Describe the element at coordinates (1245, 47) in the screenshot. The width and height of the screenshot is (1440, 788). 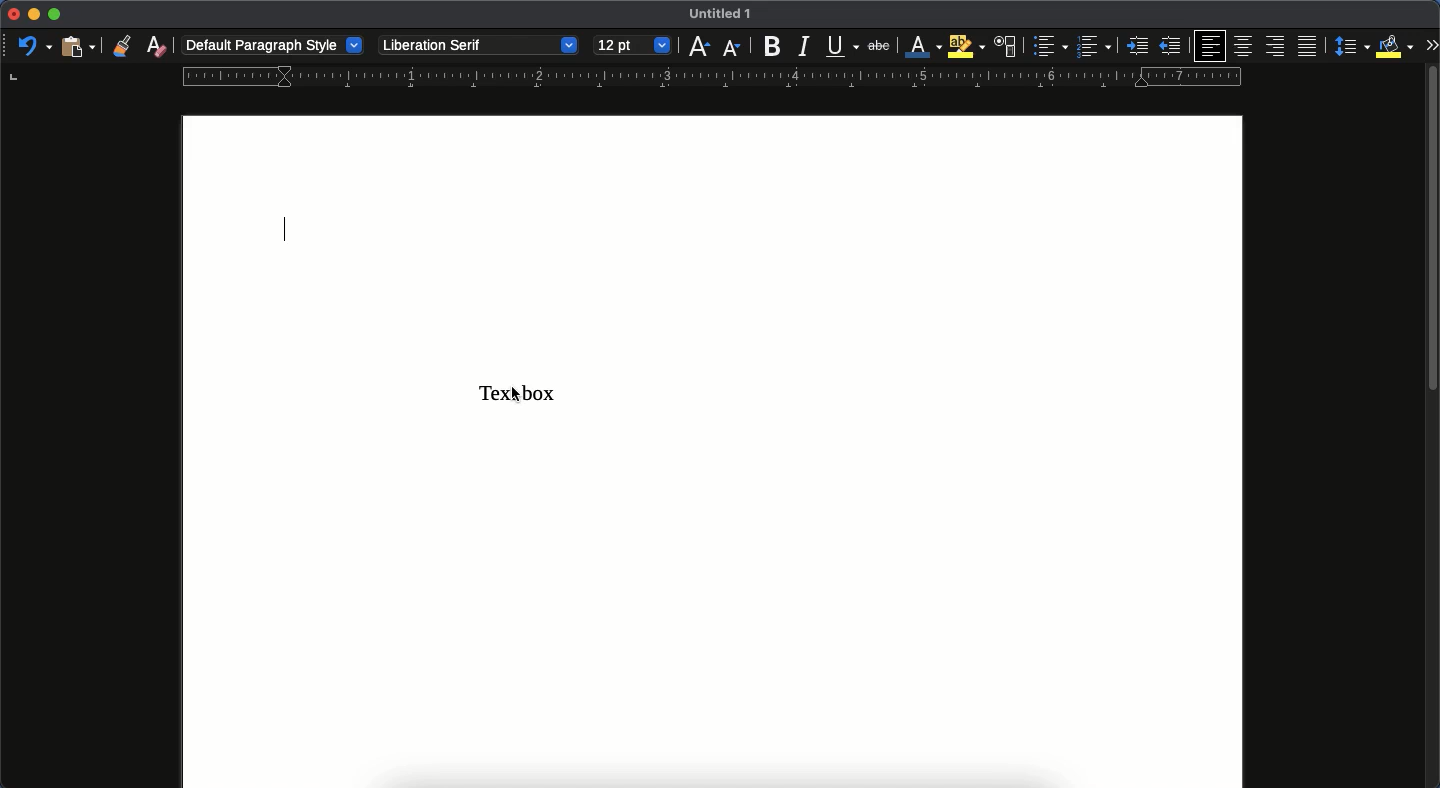
I see `center align` at that location.